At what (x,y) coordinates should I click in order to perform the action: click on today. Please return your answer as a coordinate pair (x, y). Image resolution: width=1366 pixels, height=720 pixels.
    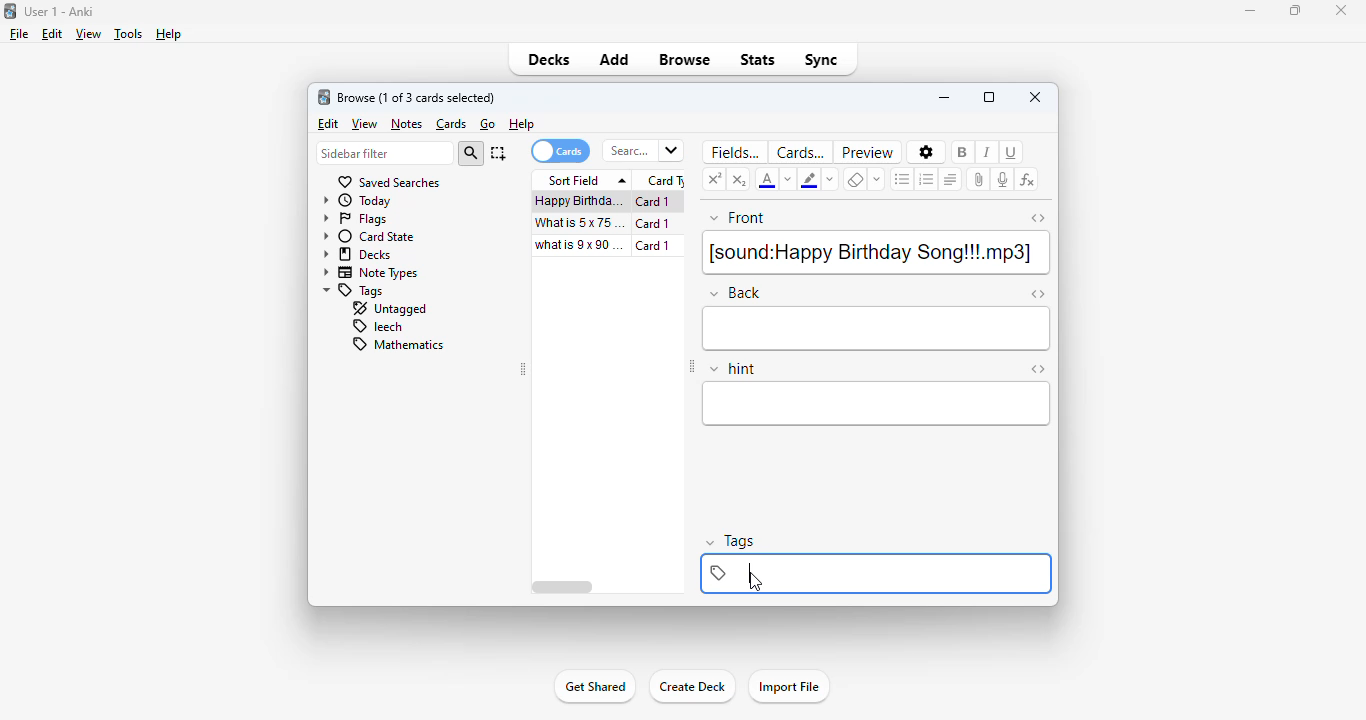
    Looking at the image, I should click on (358, 201).